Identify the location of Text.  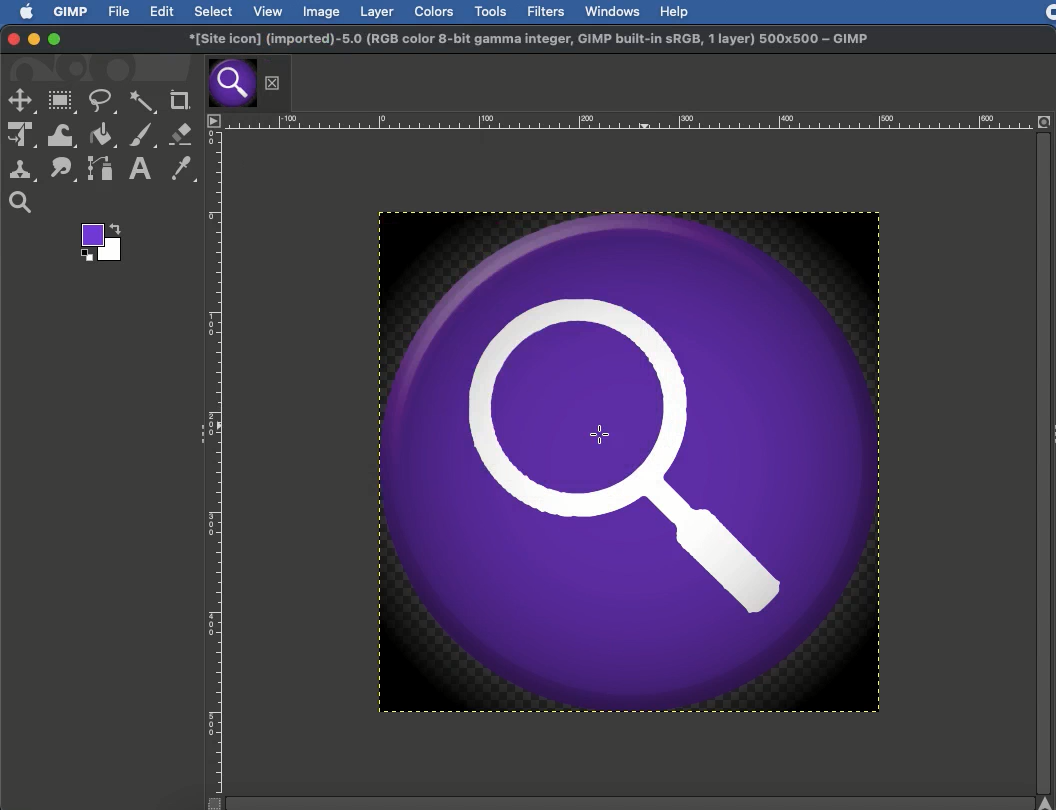
(138, 169).